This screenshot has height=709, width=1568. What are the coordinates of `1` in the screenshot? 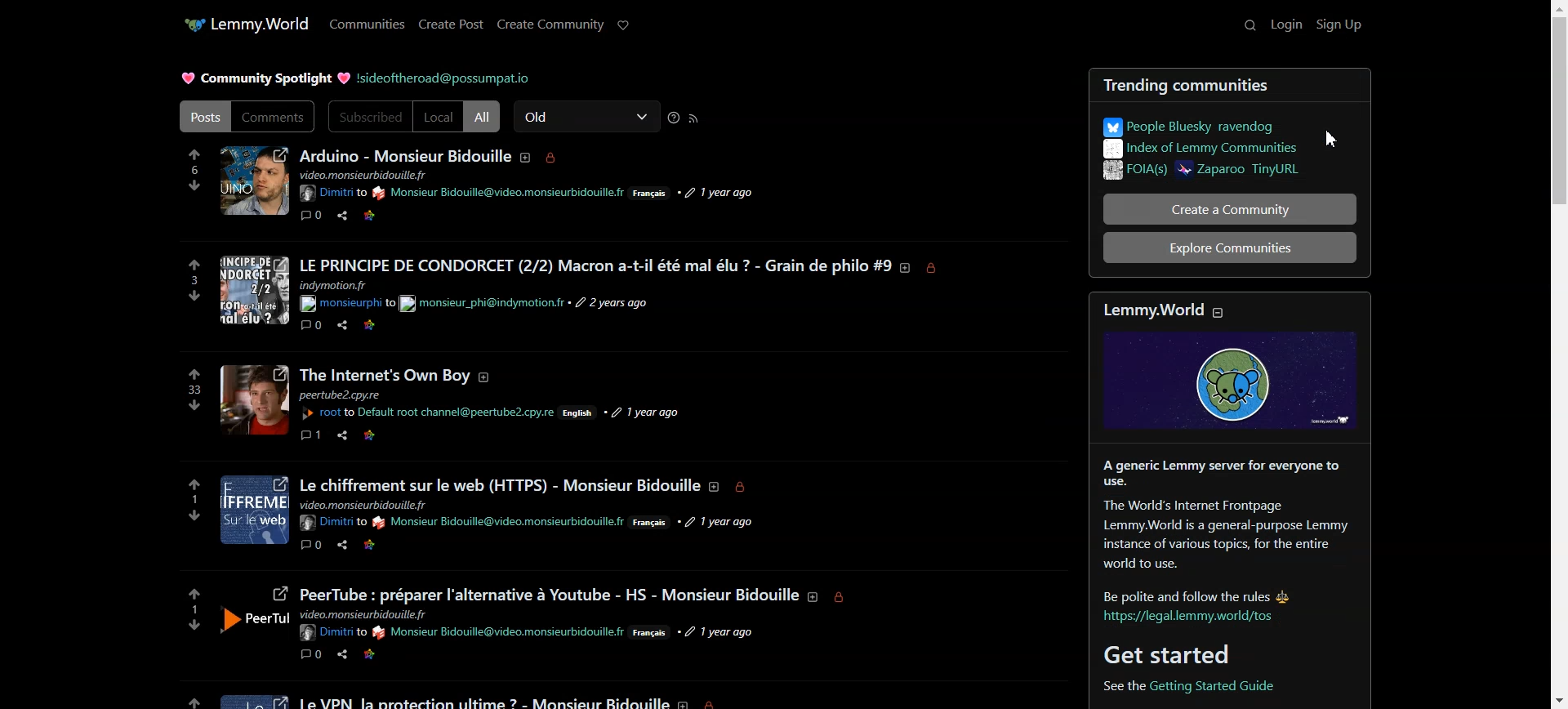 It's located at (191, 500).